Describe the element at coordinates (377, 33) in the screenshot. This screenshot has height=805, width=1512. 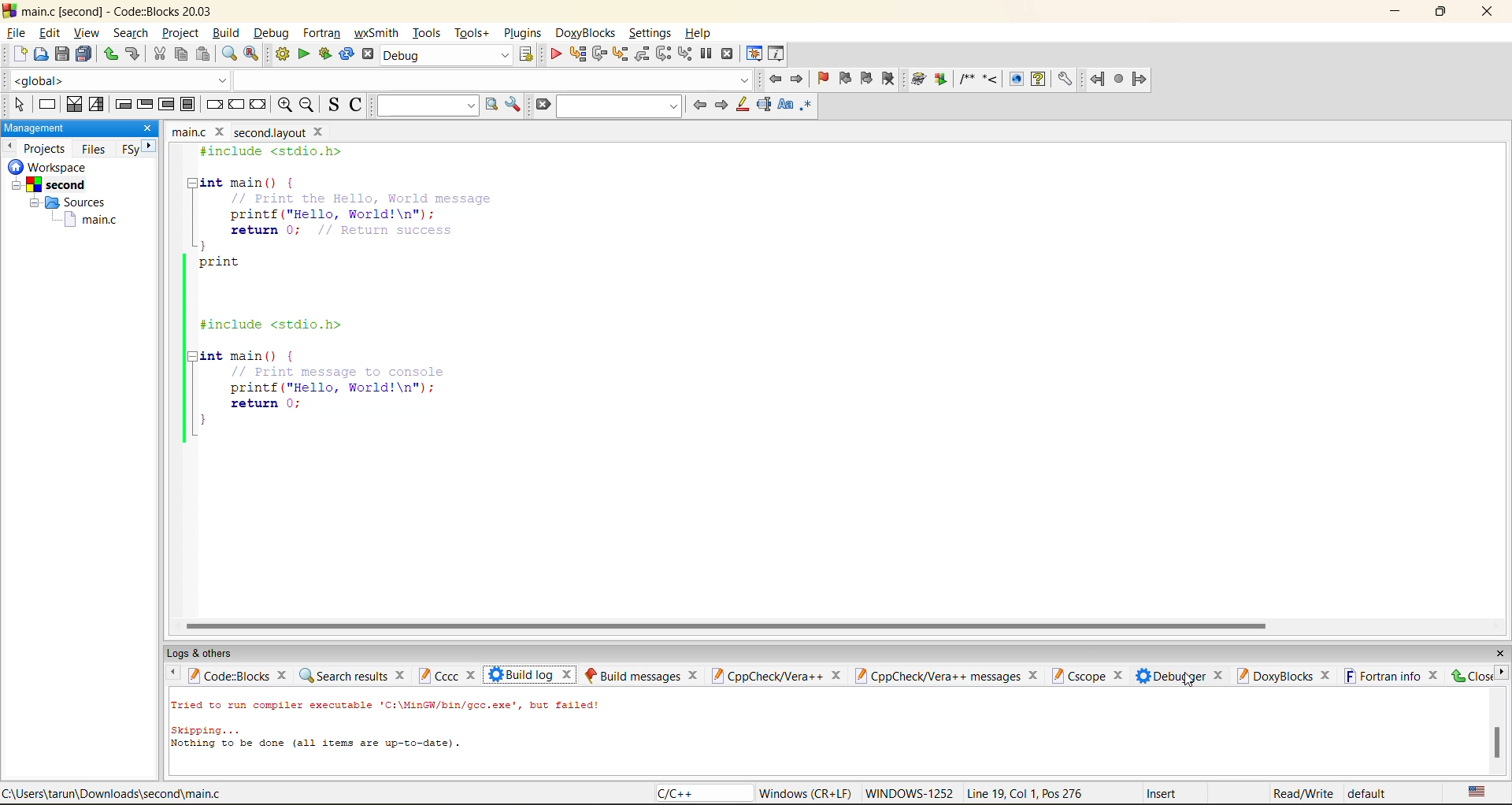
I see `wxsmith` at that location.